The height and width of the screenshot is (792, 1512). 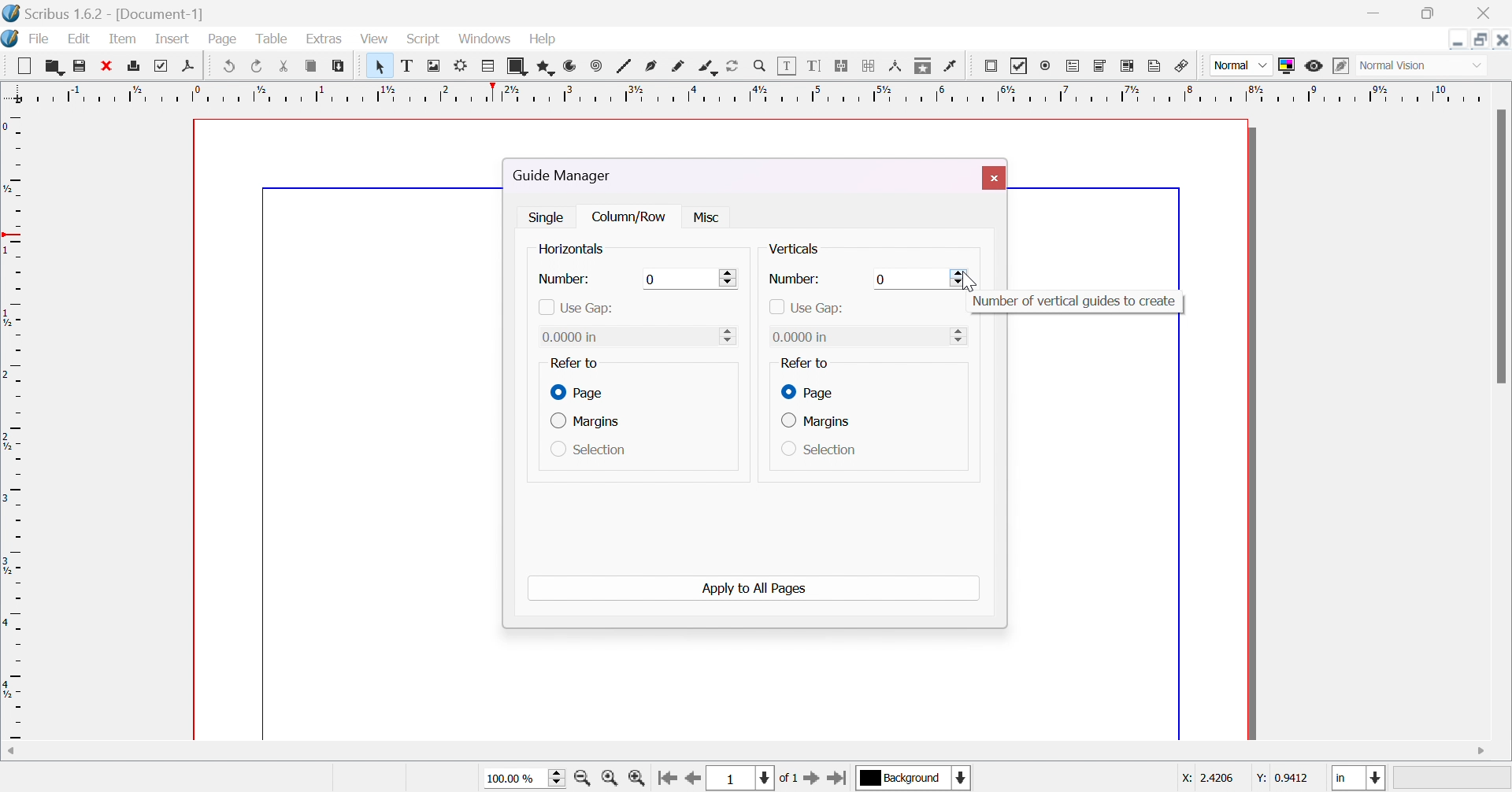 I want to click on line, so click(x=627, y=67).